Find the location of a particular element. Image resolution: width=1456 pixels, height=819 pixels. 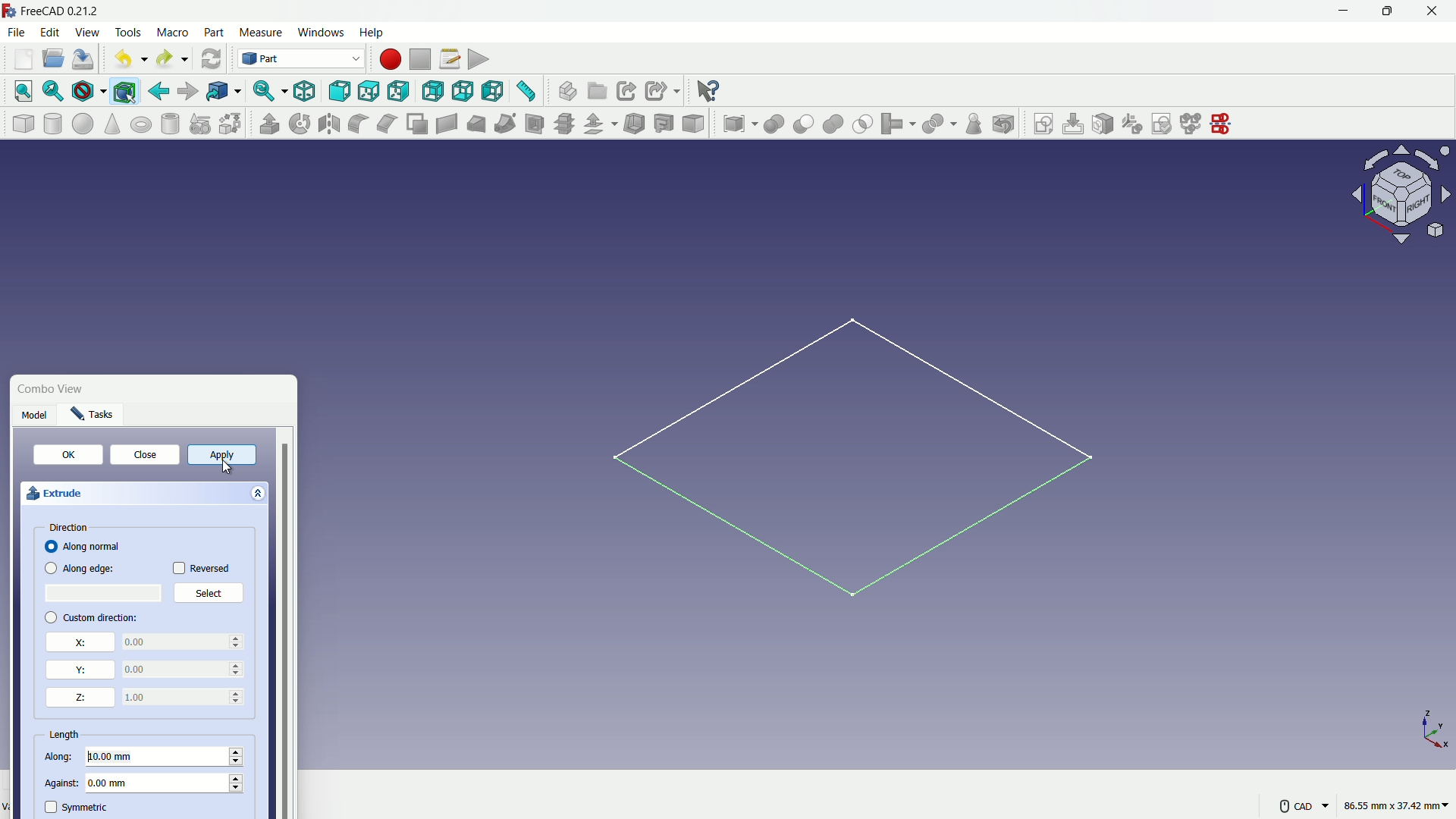

loft is located at coordinates (477, 124).